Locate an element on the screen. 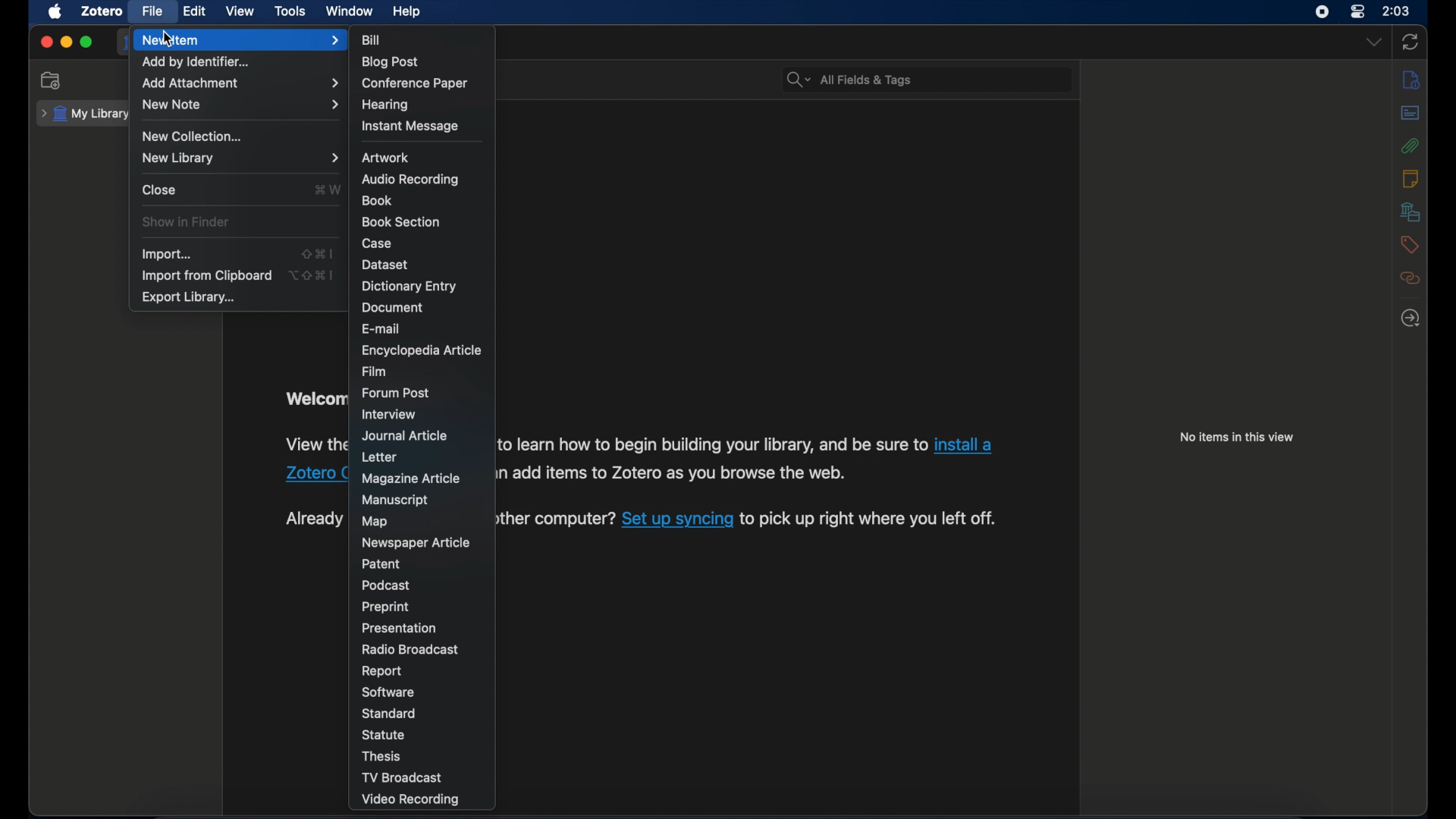 This screenshot has height=819, width=1456. new collection is located at coordinates (52, 81).